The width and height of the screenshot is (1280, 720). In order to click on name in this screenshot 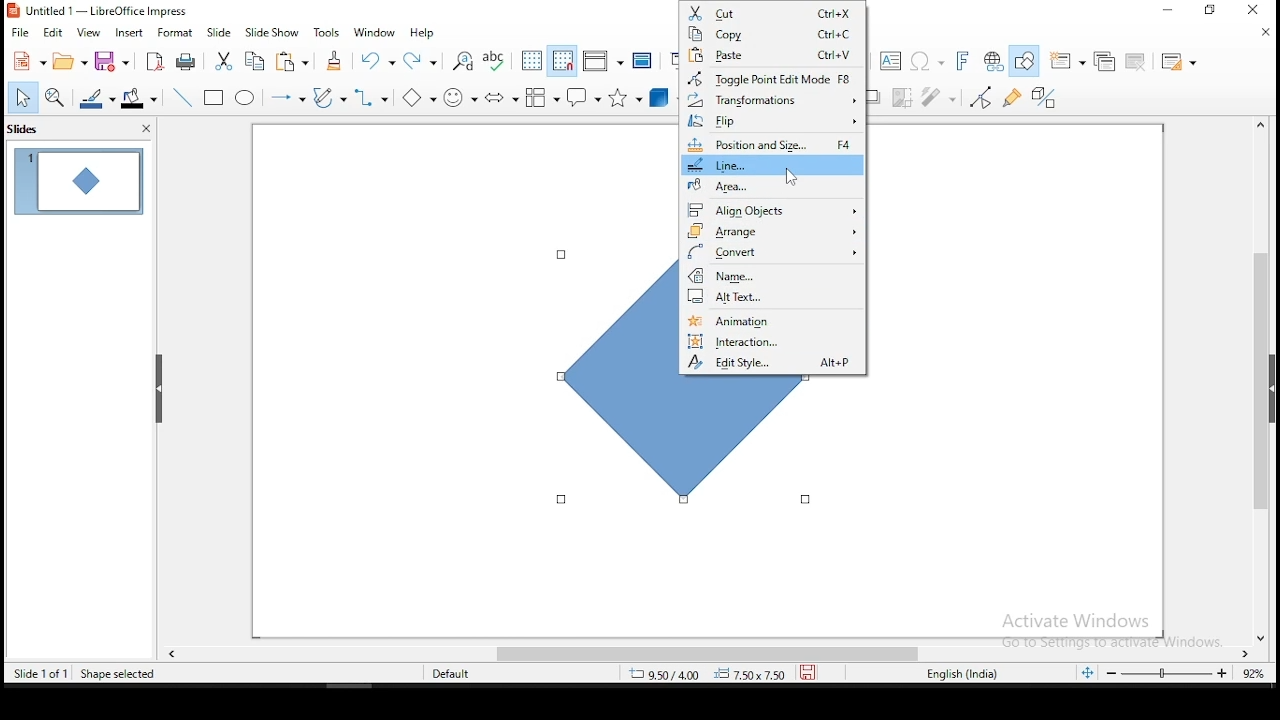, I will do `click(771, 274)`.